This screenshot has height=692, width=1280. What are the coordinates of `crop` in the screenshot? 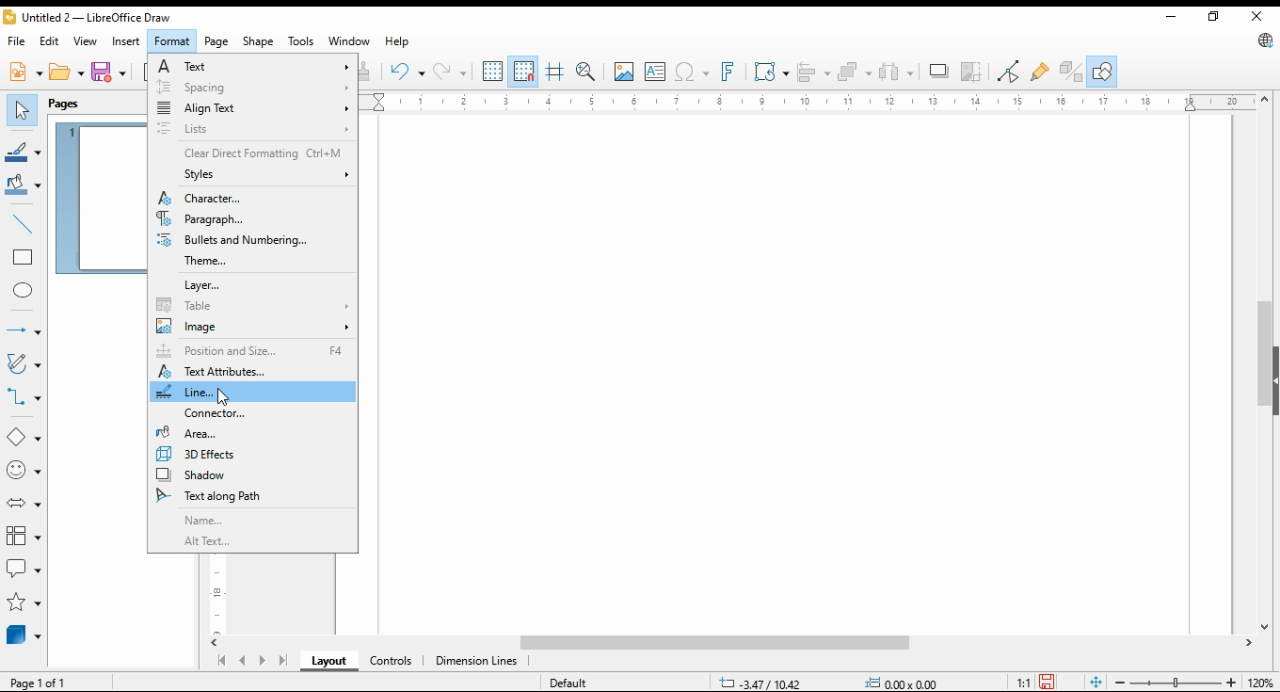 It's located at (974, 71).